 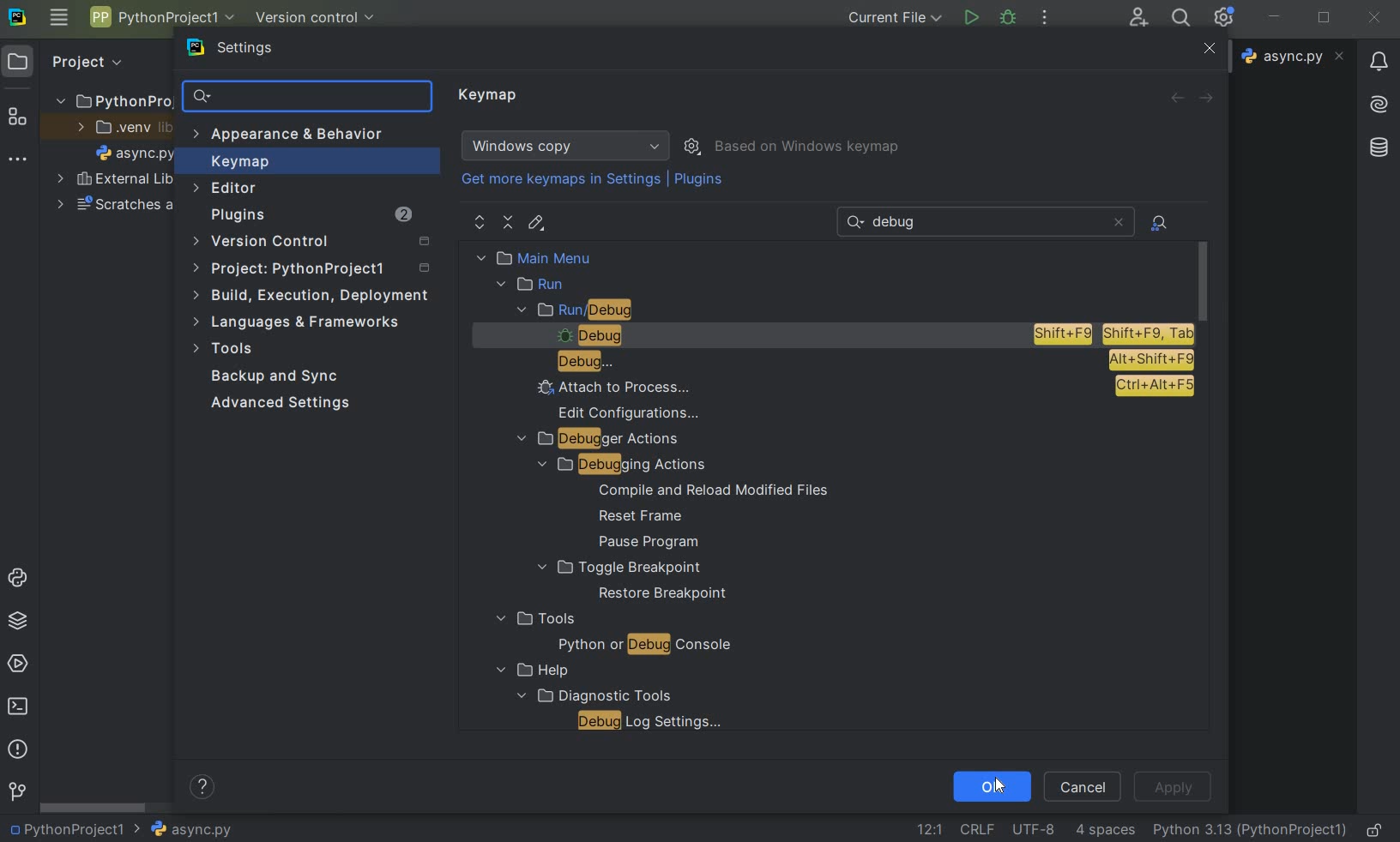 I want to click on services, so click(x=20, y=663).